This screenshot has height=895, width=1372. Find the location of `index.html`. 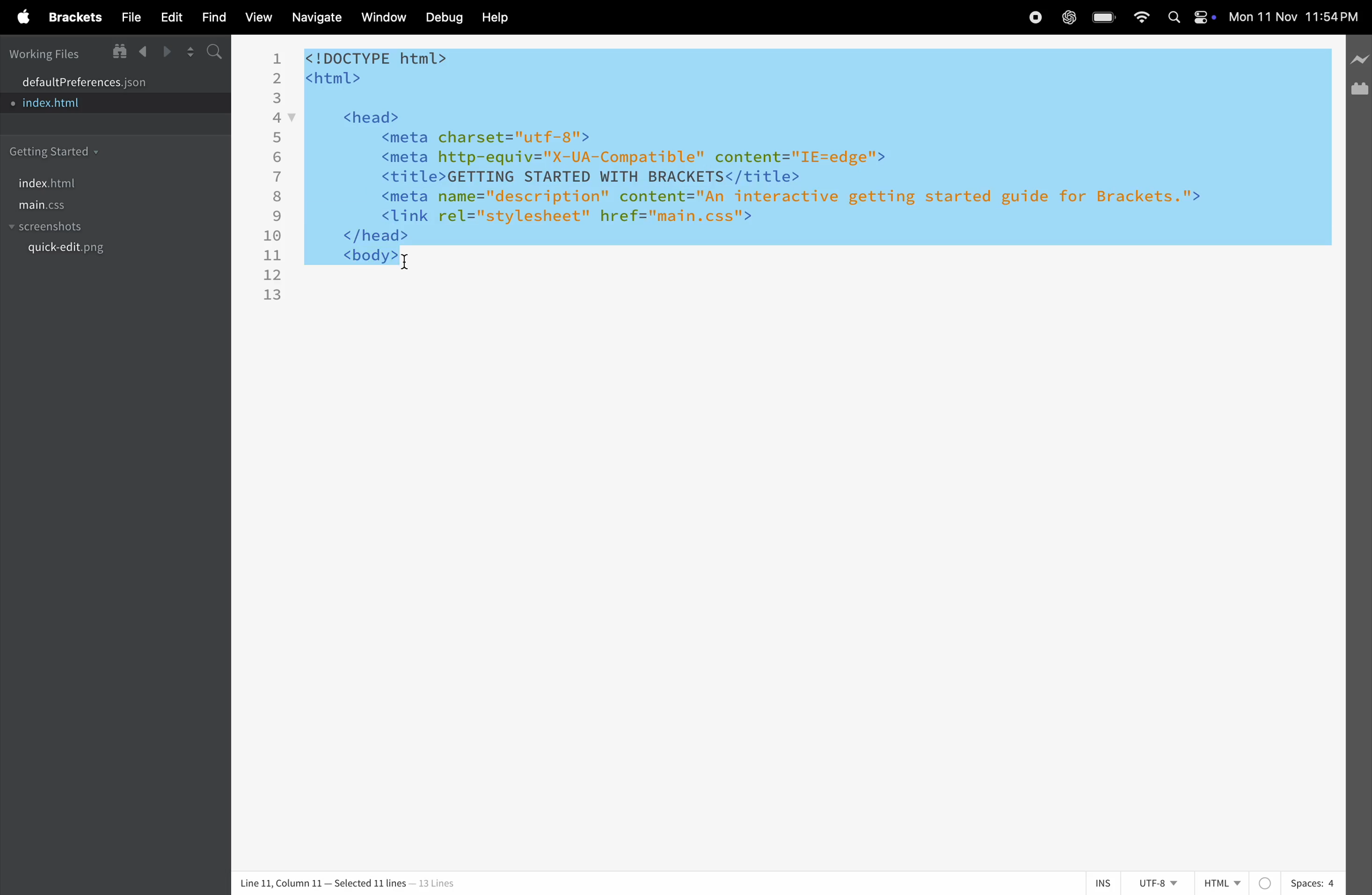

index.html is located at coordinates (98, 104).